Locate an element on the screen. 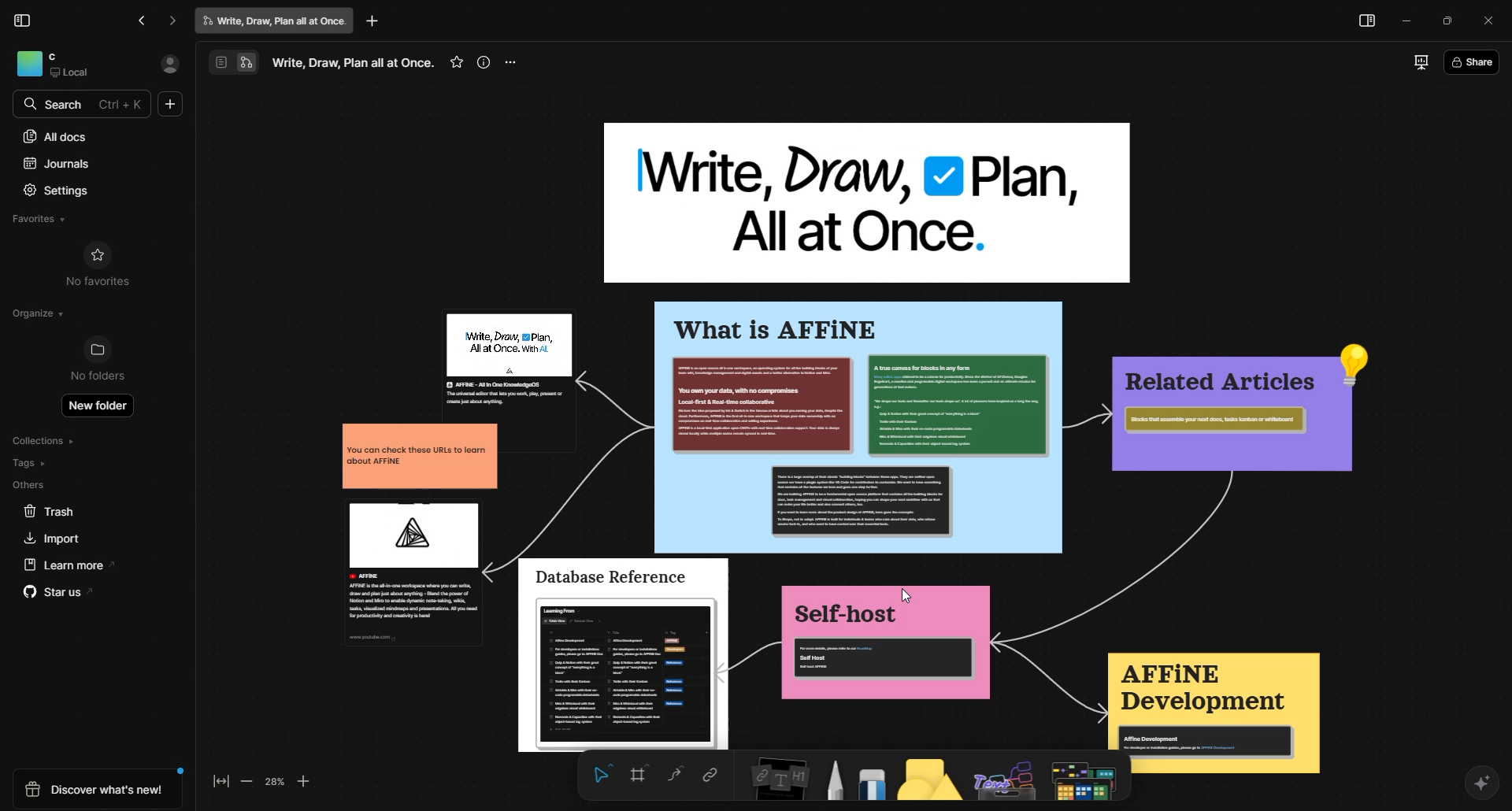 The image size is (1512, 811). new workspace is located at coordinates (836, 428).